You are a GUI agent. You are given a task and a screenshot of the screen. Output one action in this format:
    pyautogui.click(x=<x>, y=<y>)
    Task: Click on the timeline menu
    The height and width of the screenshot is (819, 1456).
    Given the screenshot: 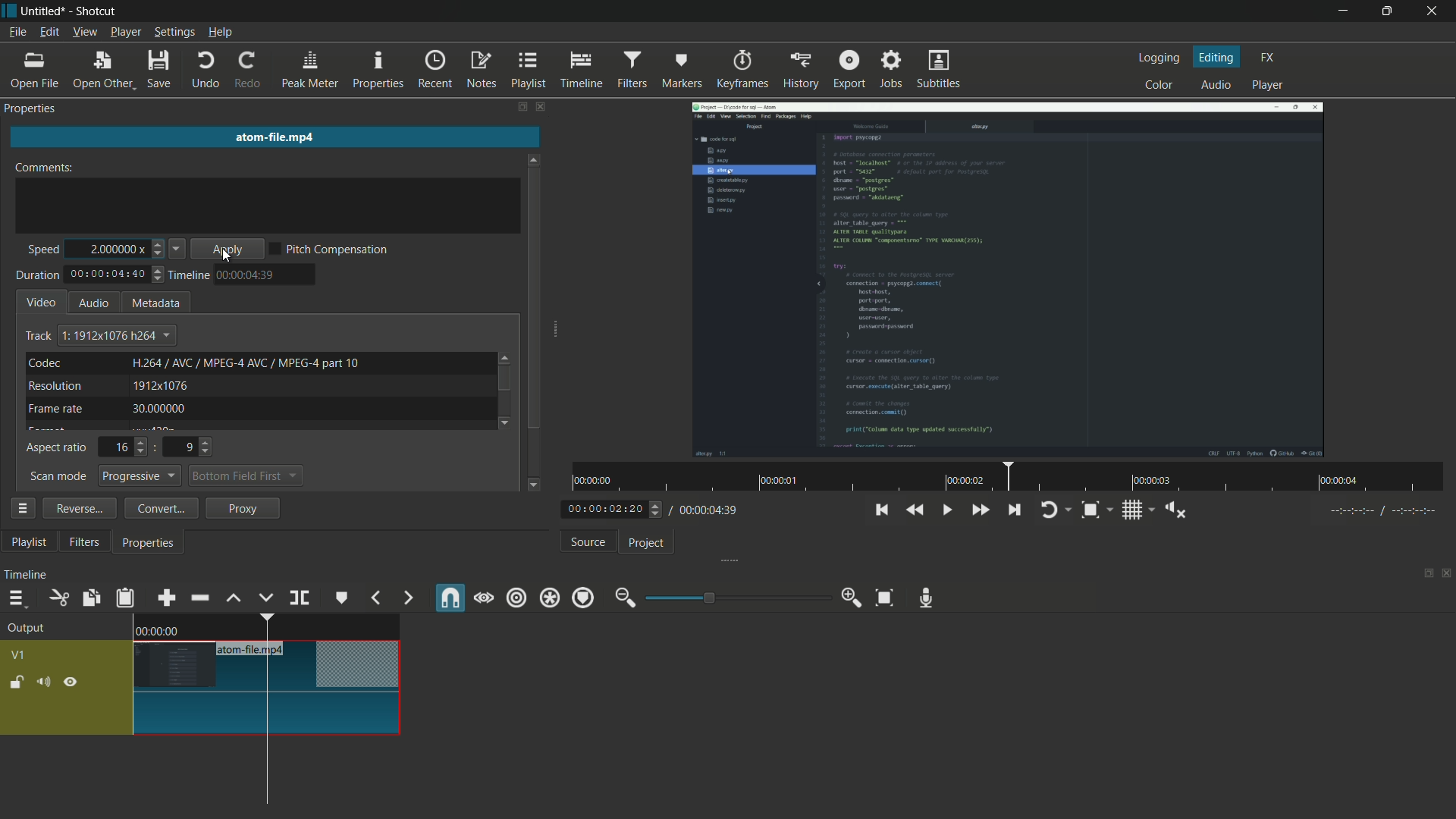 What is the action you would take?
    pyautogui.click(x=20, y=599)
    